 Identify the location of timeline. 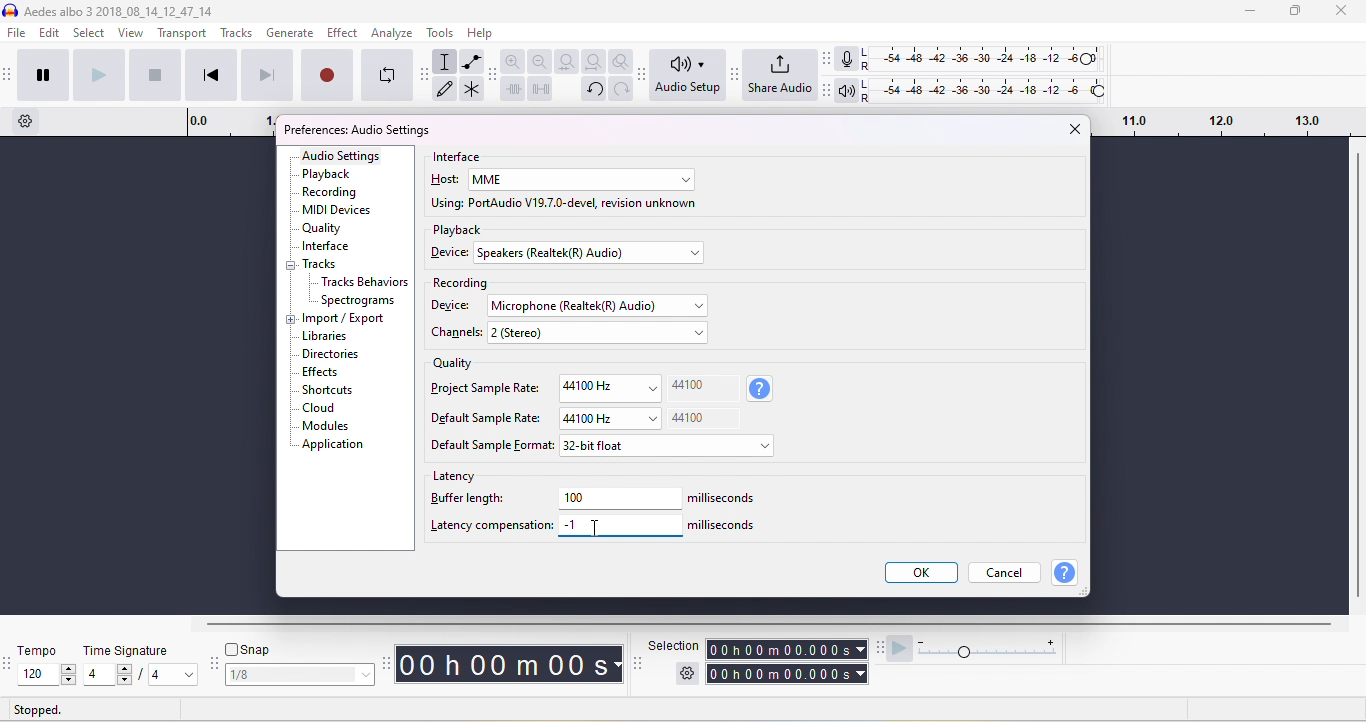
(230, 122).